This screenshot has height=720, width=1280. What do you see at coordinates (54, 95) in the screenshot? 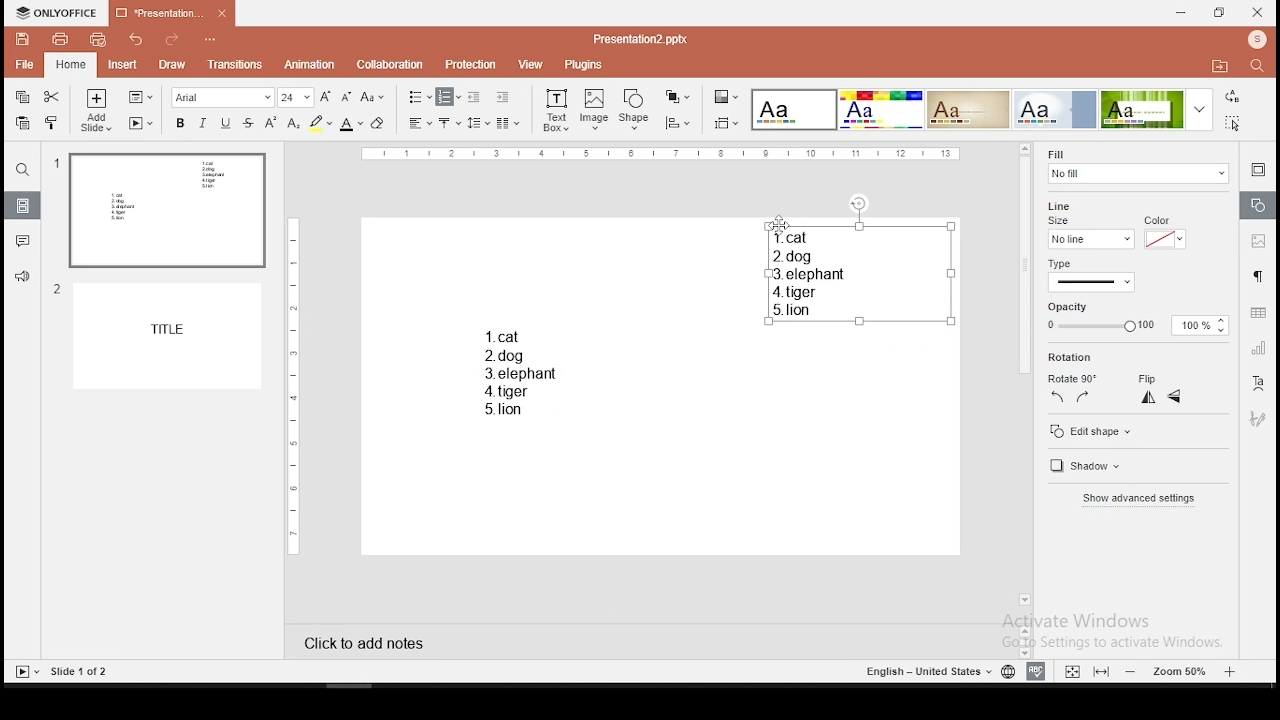
I see `cut` at bounding box center [54, 95].